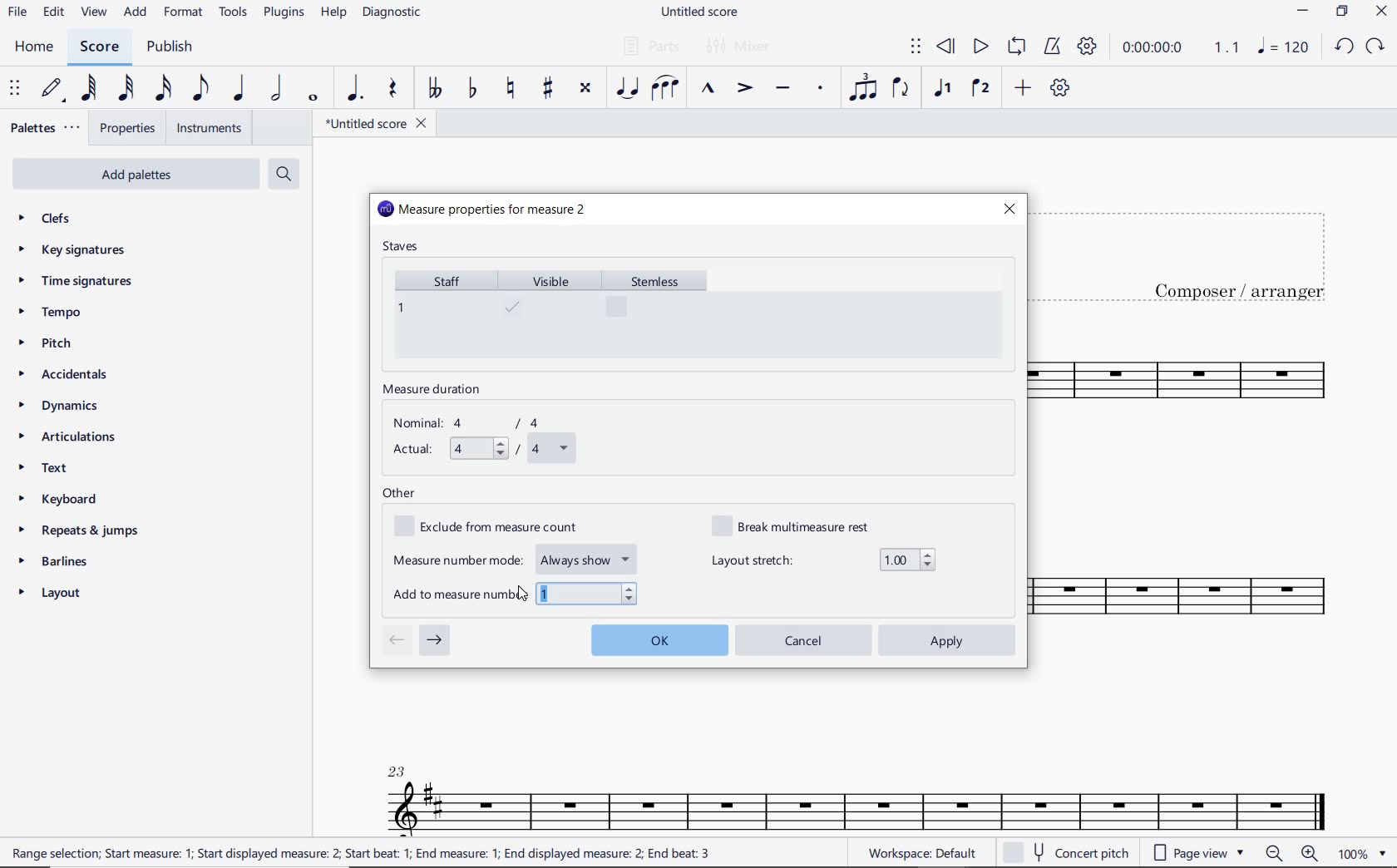  What do you see at coordinates (61, 343) in the screenshot?
I see `PITCH` at bounding box center [61, 343].